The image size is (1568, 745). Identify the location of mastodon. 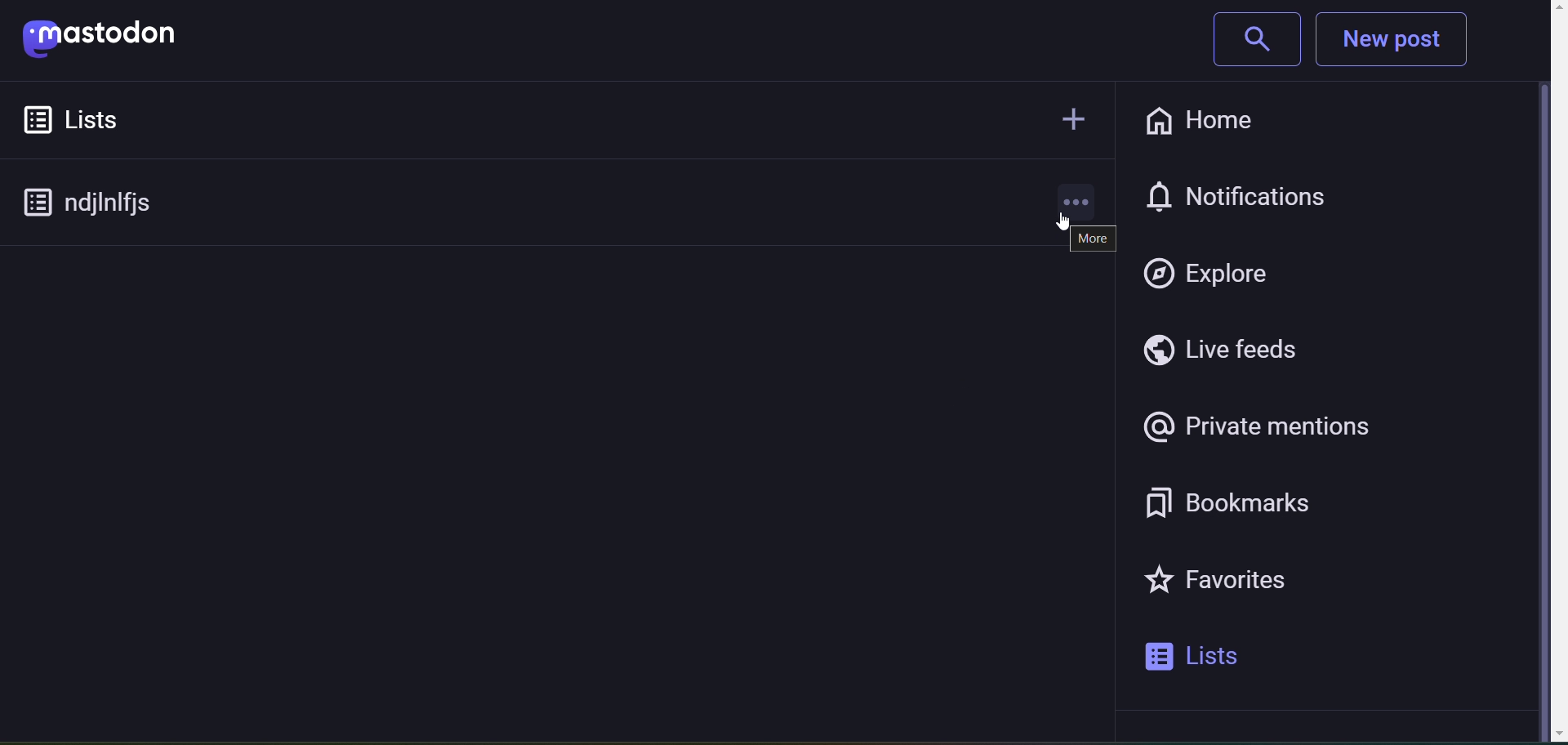
(116, 41).